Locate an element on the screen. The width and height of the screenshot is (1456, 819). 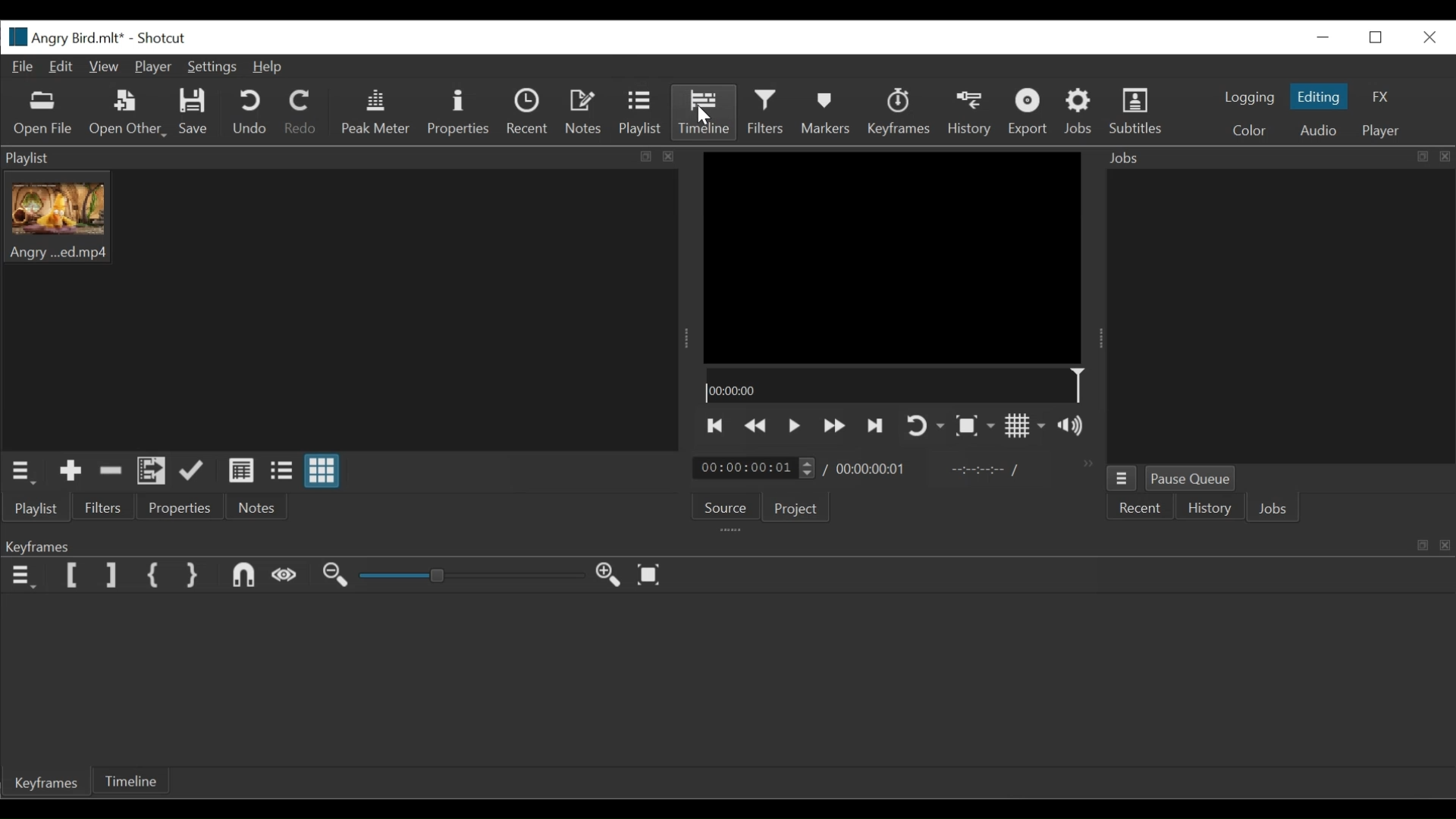
Audio is located at coordinates (1322, 130).